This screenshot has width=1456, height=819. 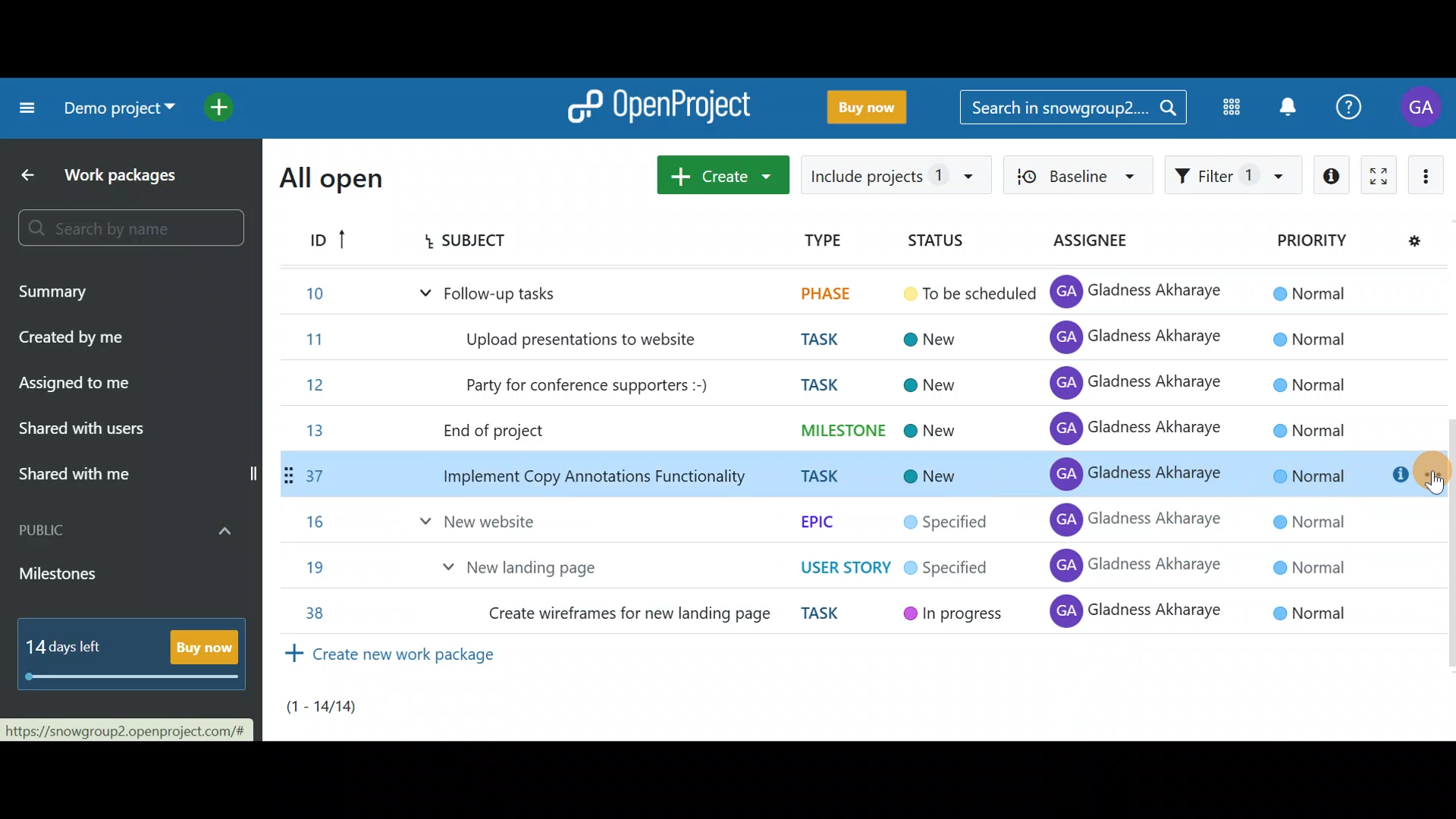 What do you see at coordinates (954, 614) in the screenshot?
I see `In progress` at bounding box center [954, 614].